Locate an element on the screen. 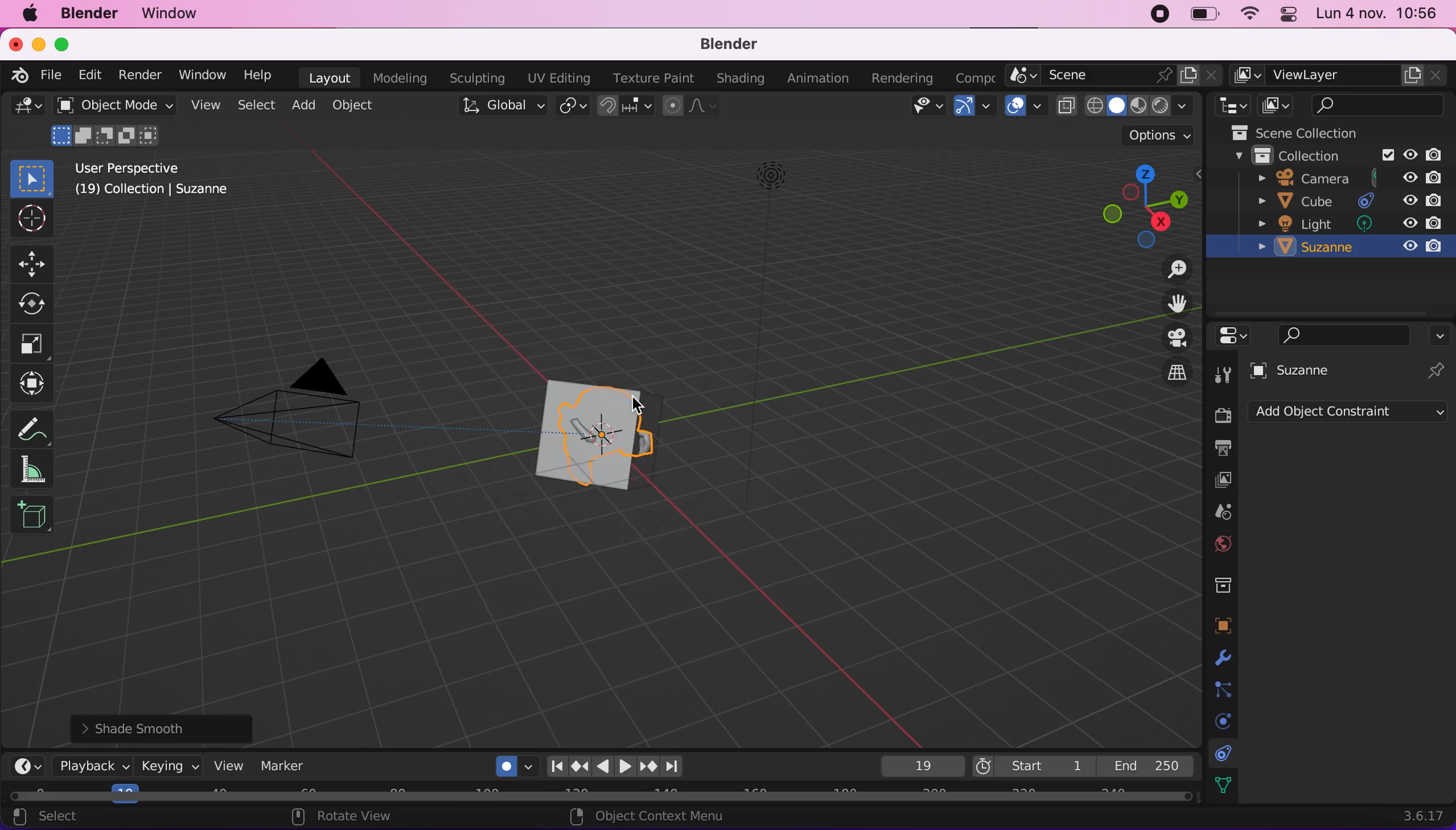 Image resolution: width=1456 pixels, height=830 pixels. wifi is located at coordinates (1250, 15).